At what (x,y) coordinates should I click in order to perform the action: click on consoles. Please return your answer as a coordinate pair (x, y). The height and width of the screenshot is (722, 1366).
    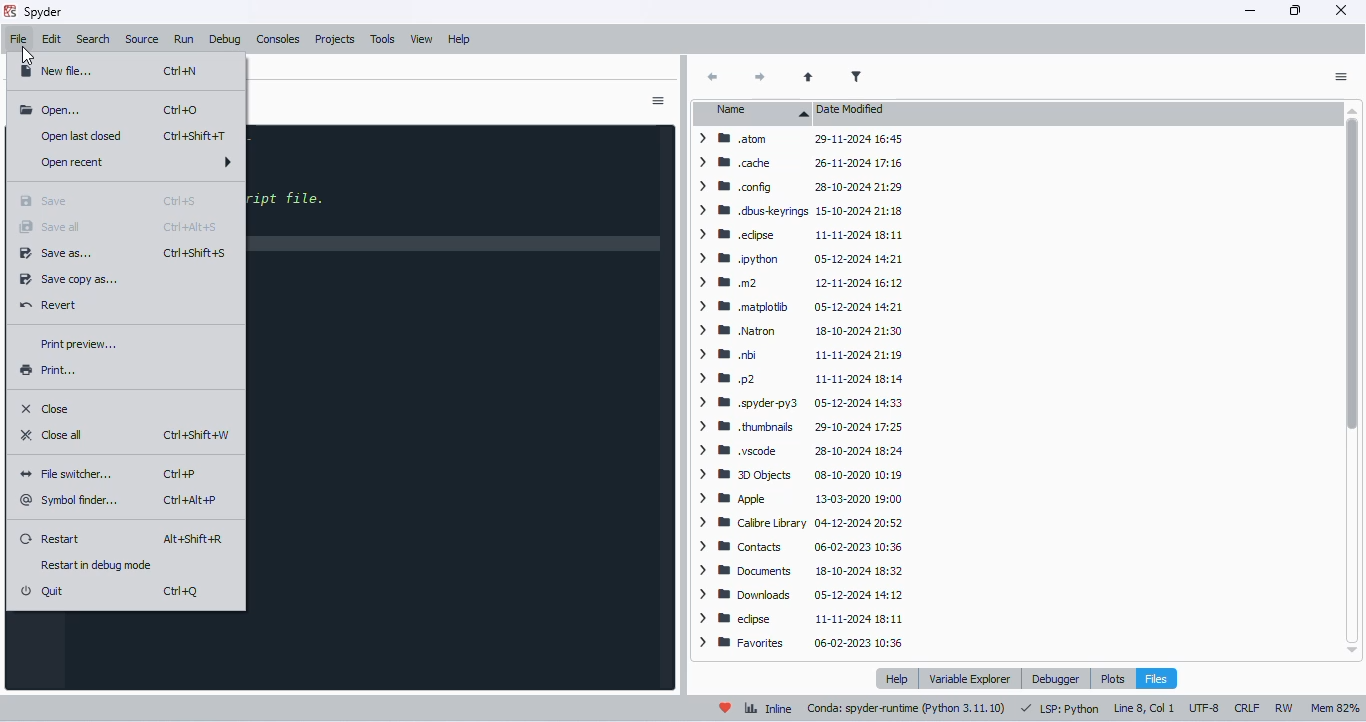
    Looking at the image, I should click on (277, 40).